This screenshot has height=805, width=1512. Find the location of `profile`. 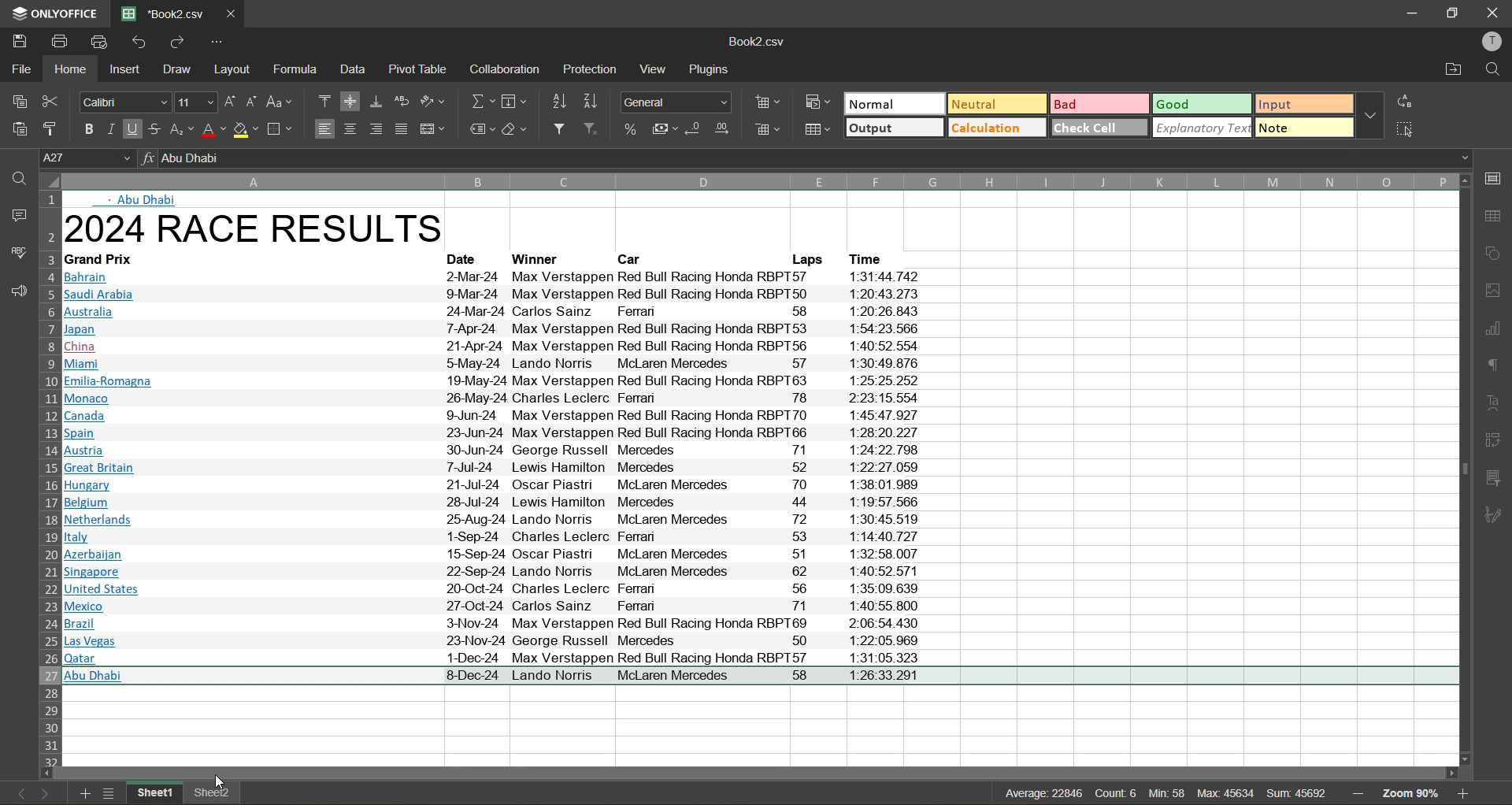

profile is located at coordinates (1493, 43).